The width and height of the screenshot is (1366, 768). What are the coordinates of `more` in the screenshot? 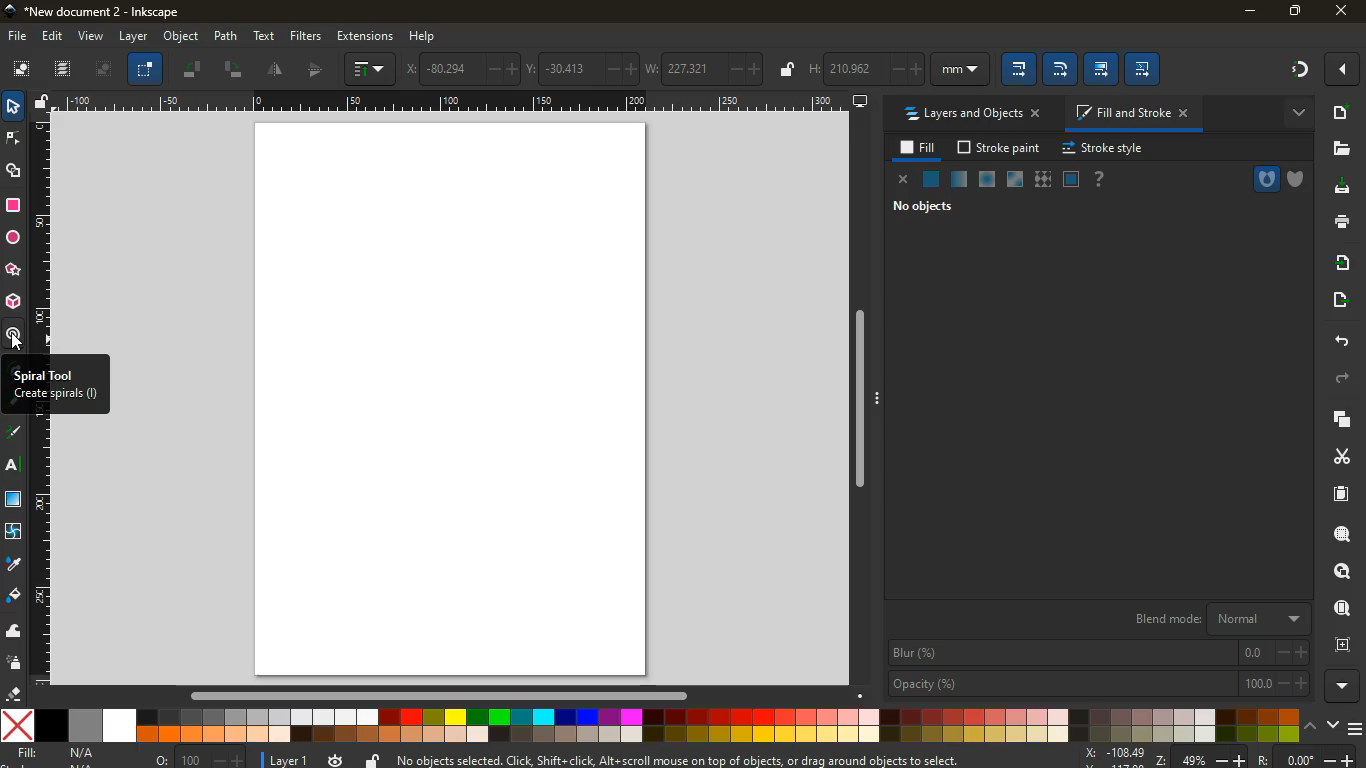 It's located at (1294, 115).